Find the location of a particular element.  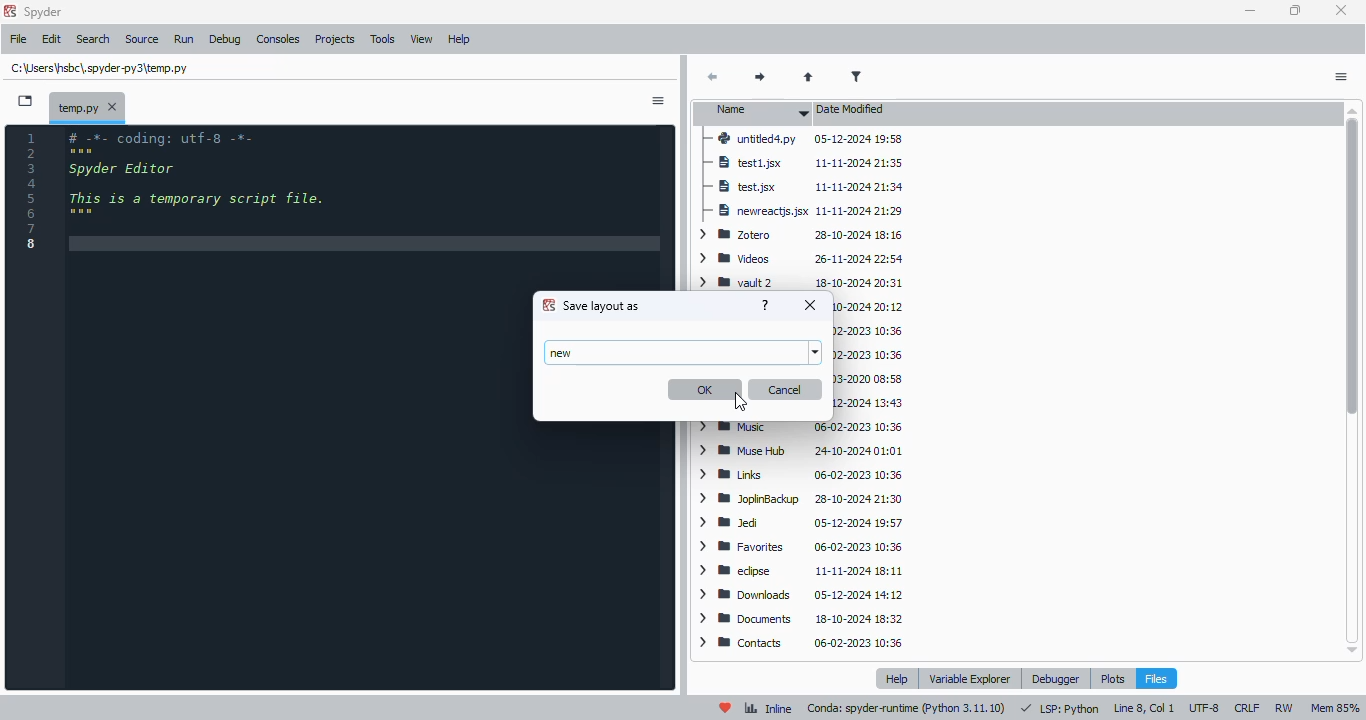

plots is located at coordinates (1113, 677).